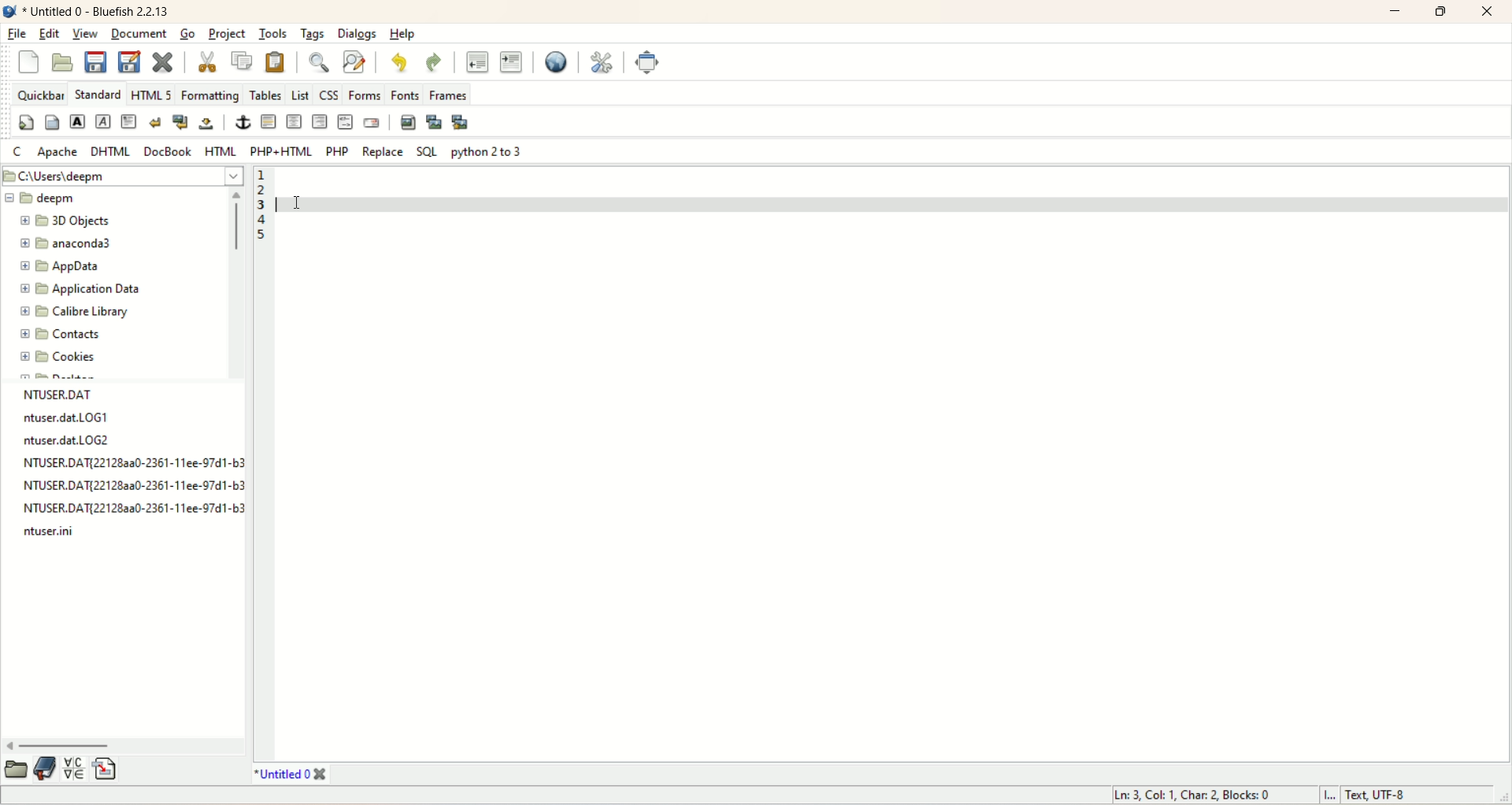 Image resolution: width=1512 pixels, height=805 pixels. I want to click on C, so click(17, 153).